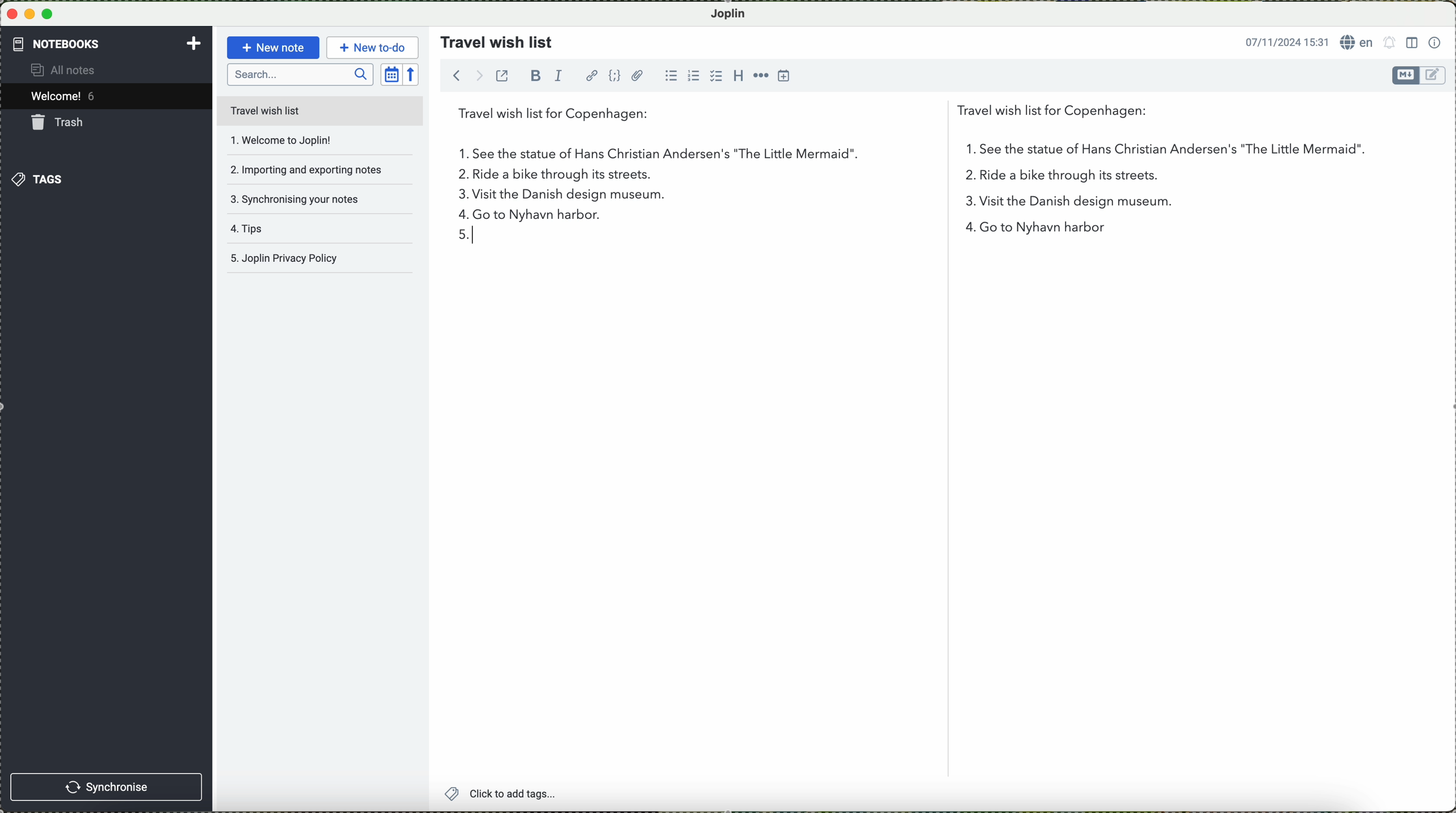 This screenshot has width=1456, height=813. What do you see at coordinates (505, 80) in the screenshot?
I see `toggle external editing` at bounding box center [505, 80].